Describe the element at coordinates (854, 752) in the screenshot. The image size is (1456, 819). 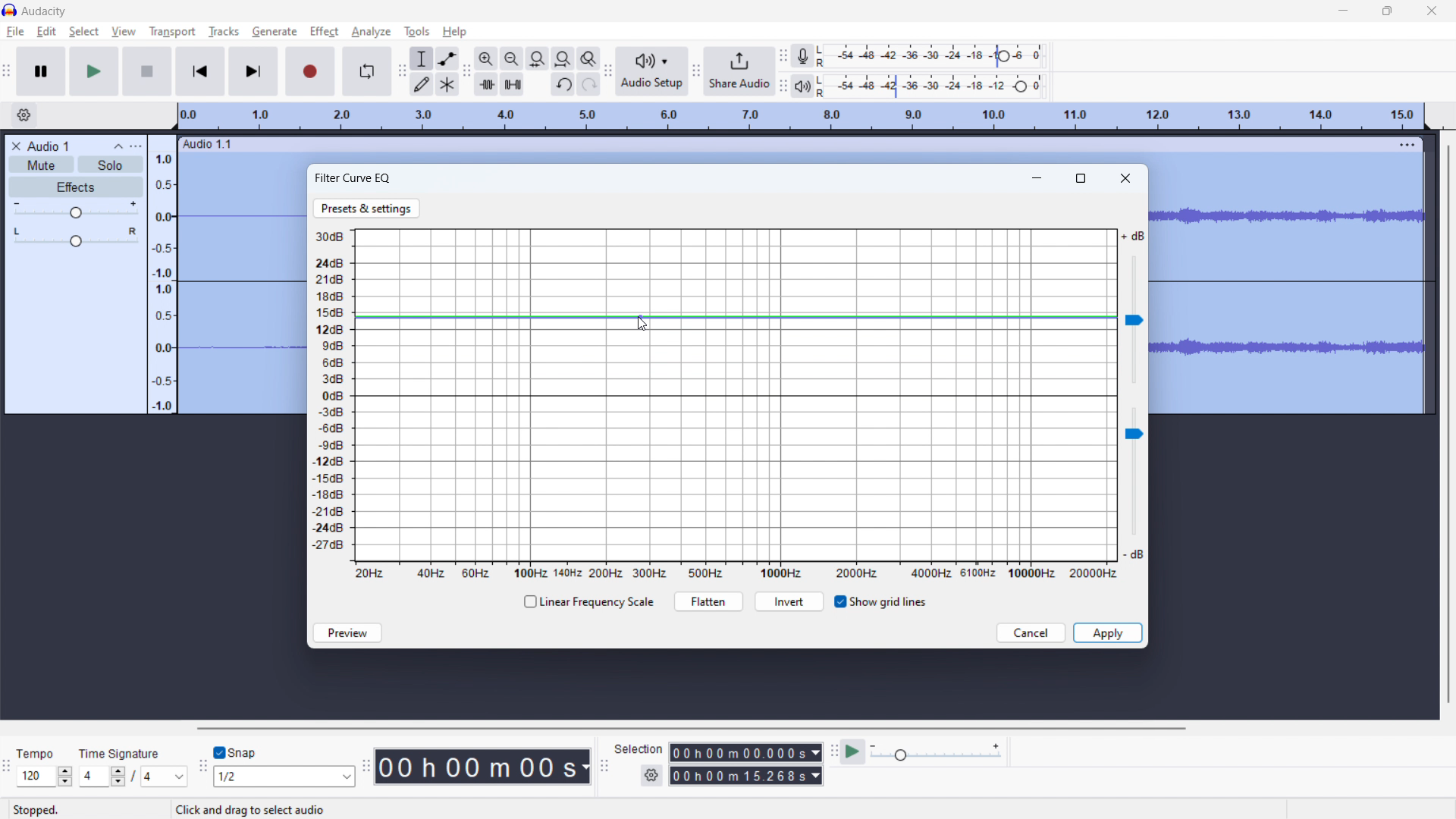
I see `play at speed` at that location.